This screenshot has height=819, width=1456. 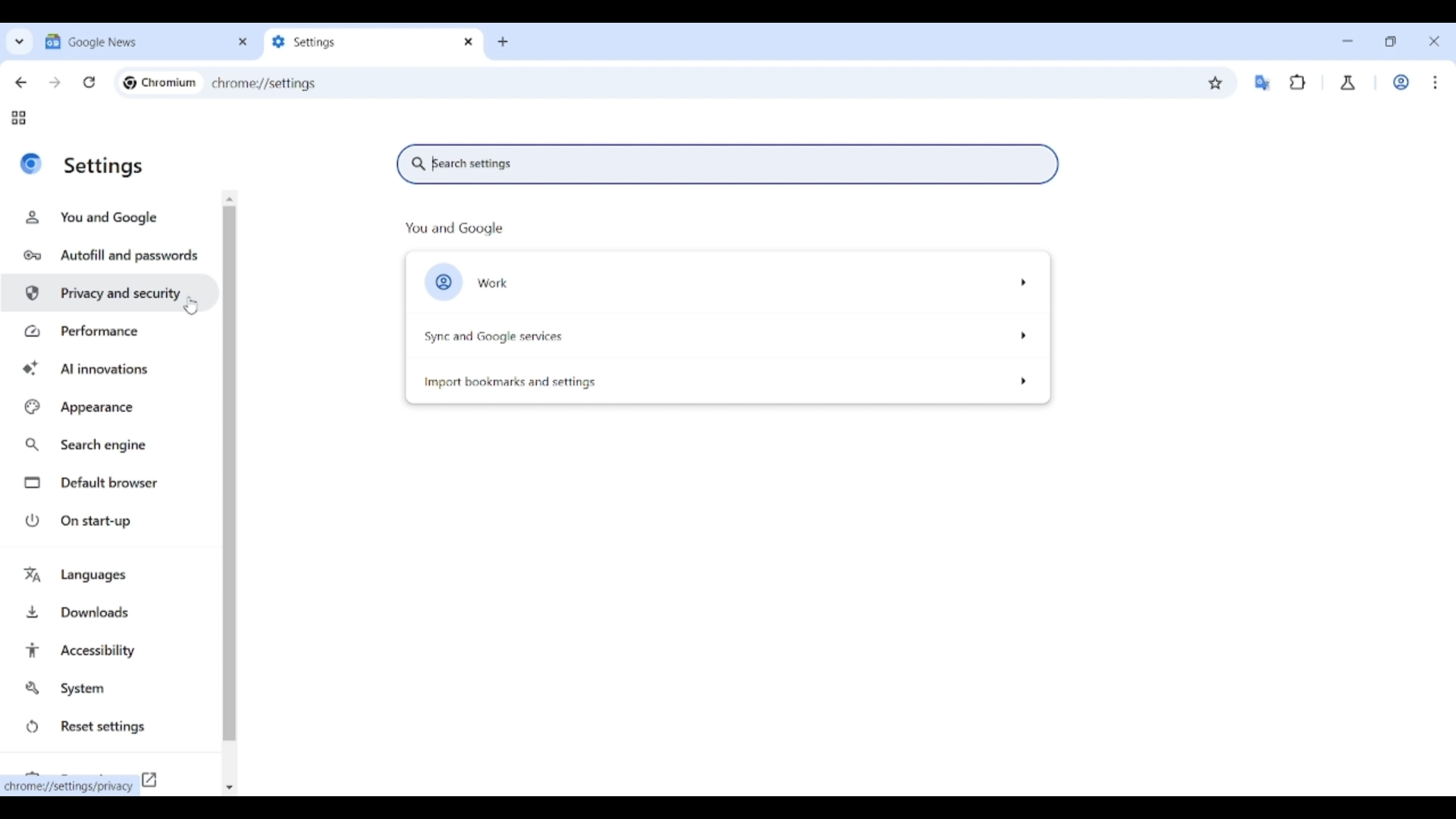 What do you see at coordinates (20, 83) in the screenshot?
I see `Go back` at bounding box center [20, 83].